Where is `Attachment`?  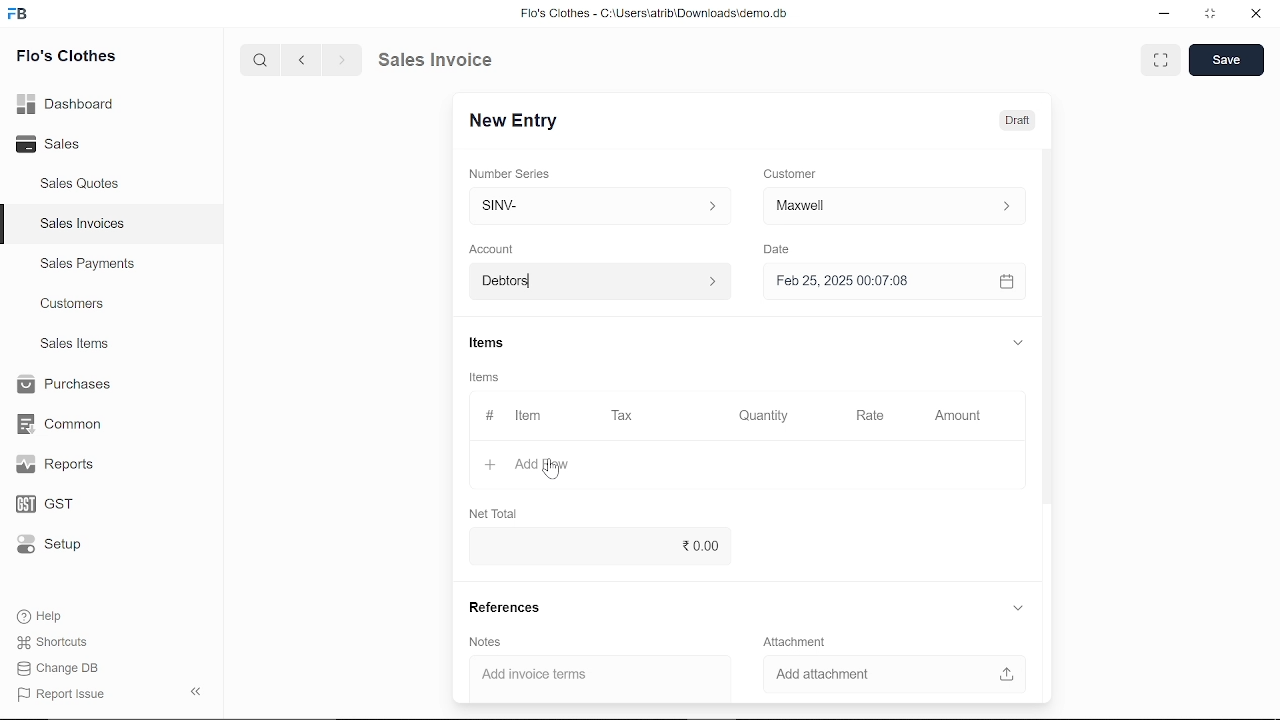 Attachment is located at coordinates (798, 642).